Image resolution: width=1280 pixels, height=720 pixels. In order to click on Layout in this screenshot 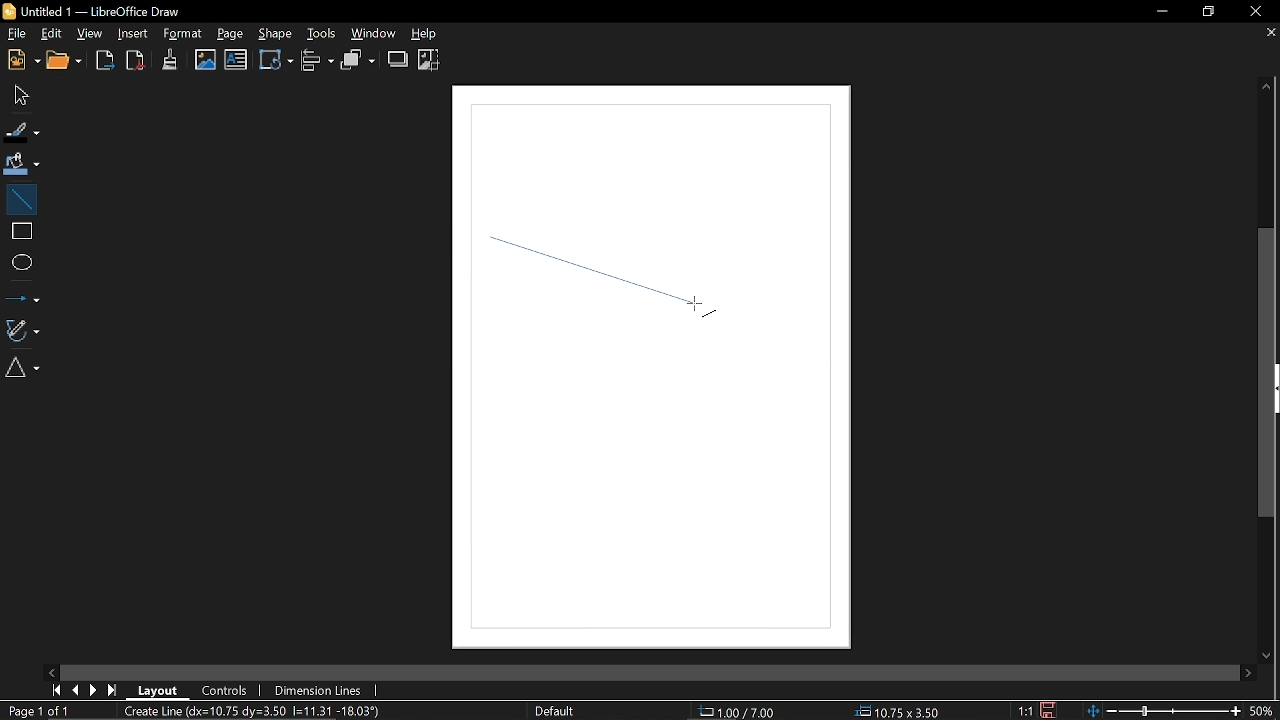, I will do `click(162, 690)`.